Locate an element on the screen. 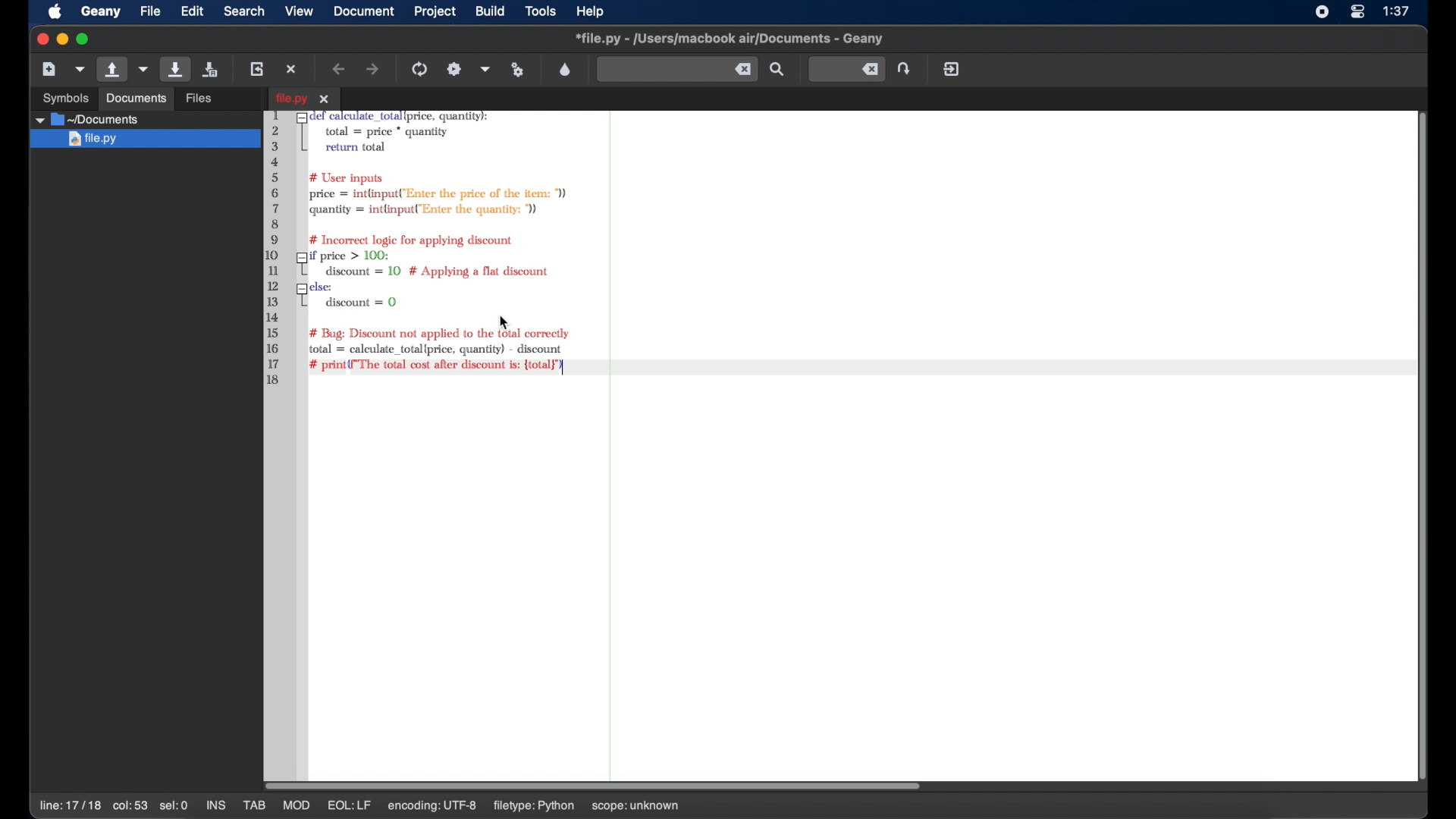 Image resolution: width=1456 pixels, height=819 pixels. build the current file is located at coordinates (455, 68).